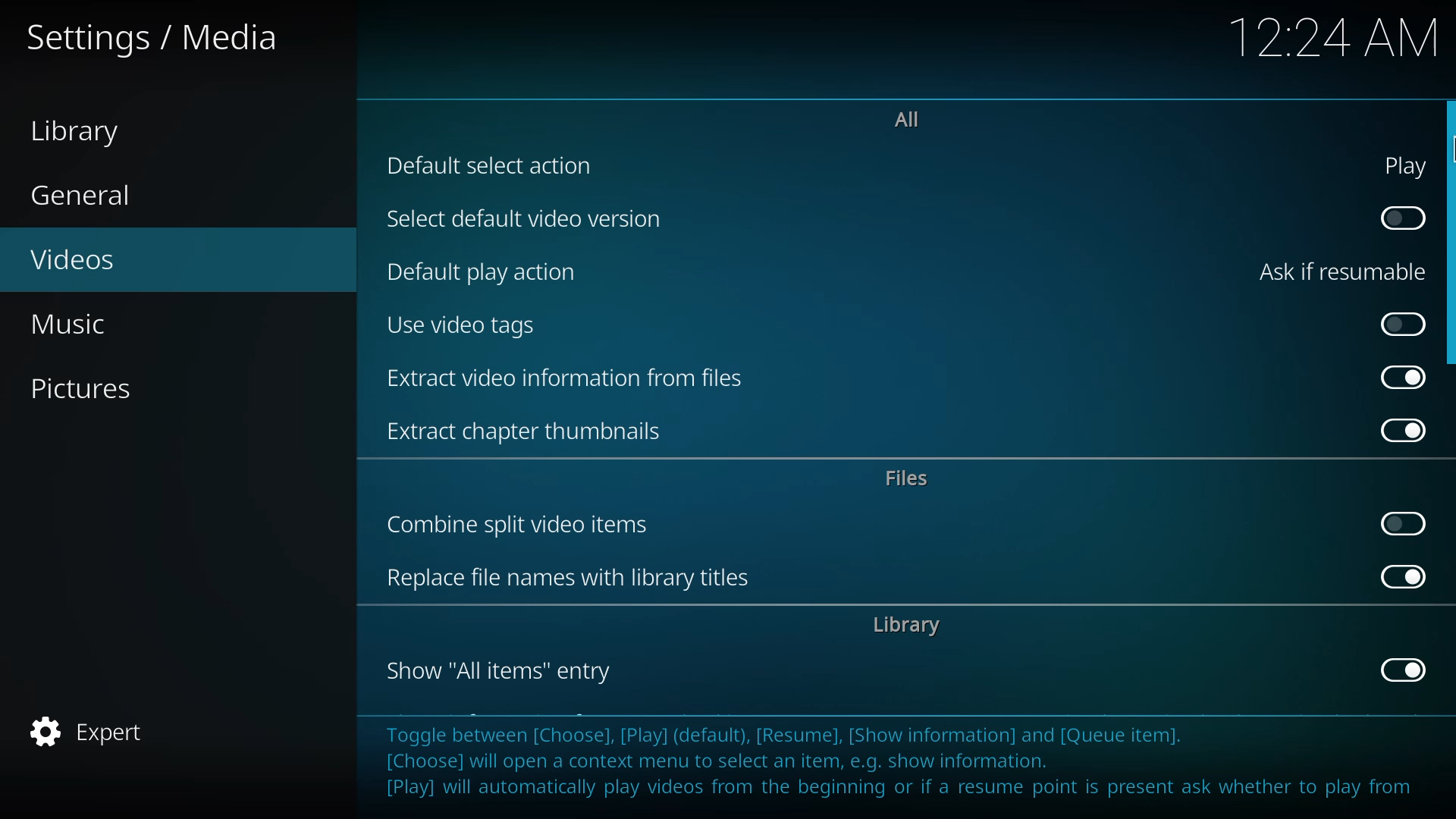 Image resolution: width=1456 pixels, height=819 pixels. I want to click on click to enable, so click(1402, 323).